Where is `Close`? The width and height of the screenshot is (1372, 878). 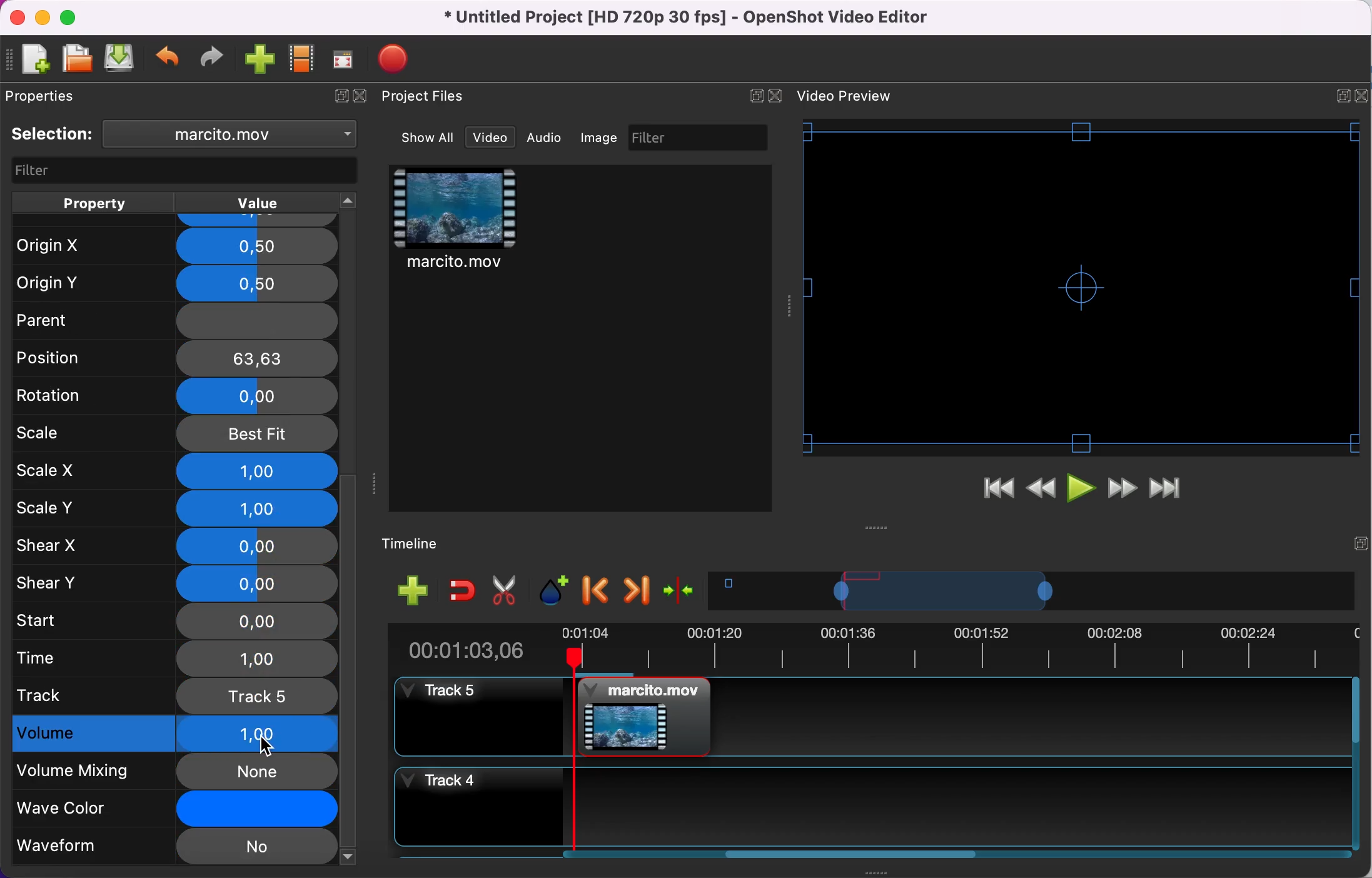 Close is located at coordinates (1361, 96).